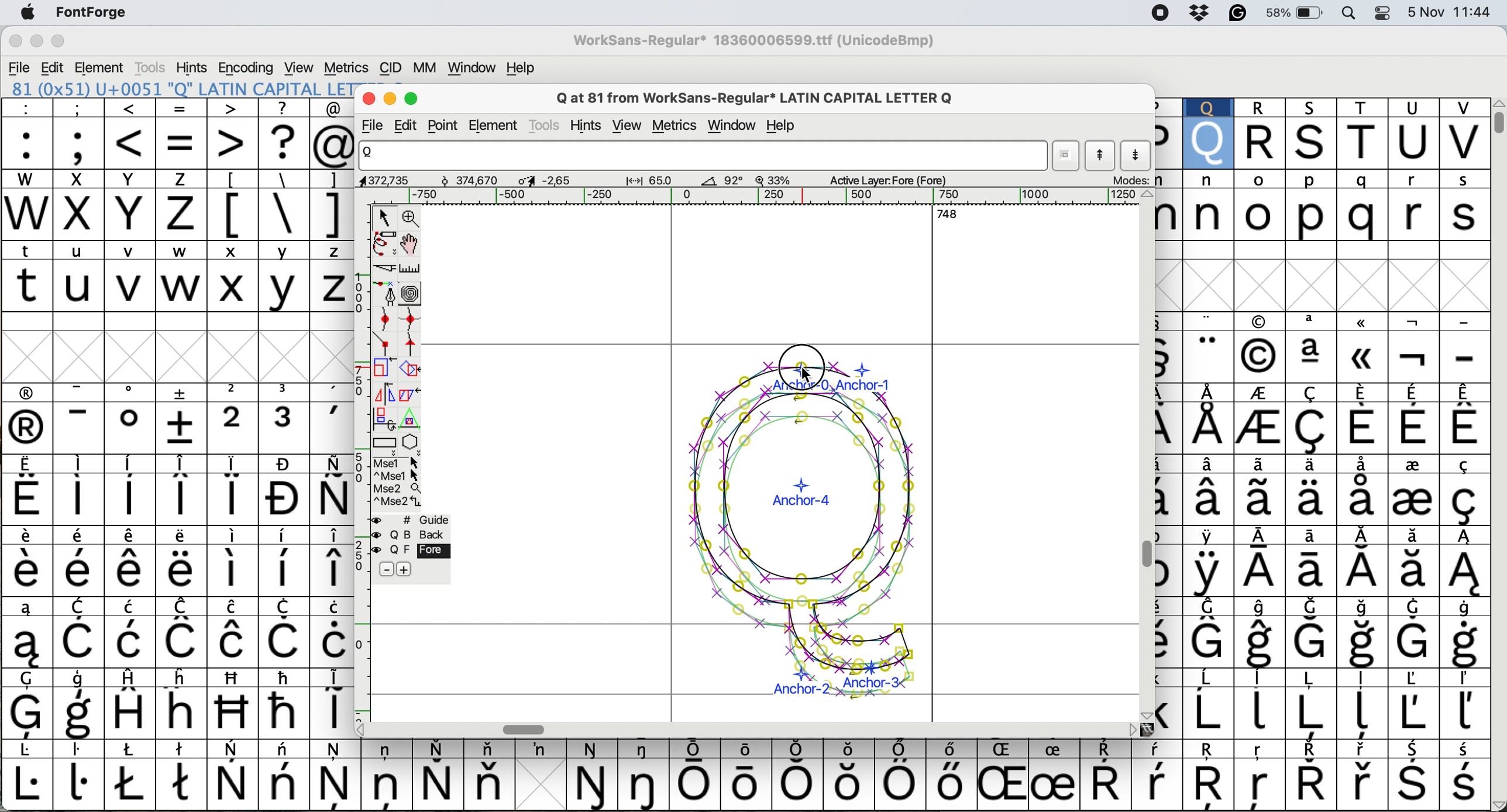 The width and height of the screenshot is (1507, 812). I want to click on minimise, so click(33, 40).